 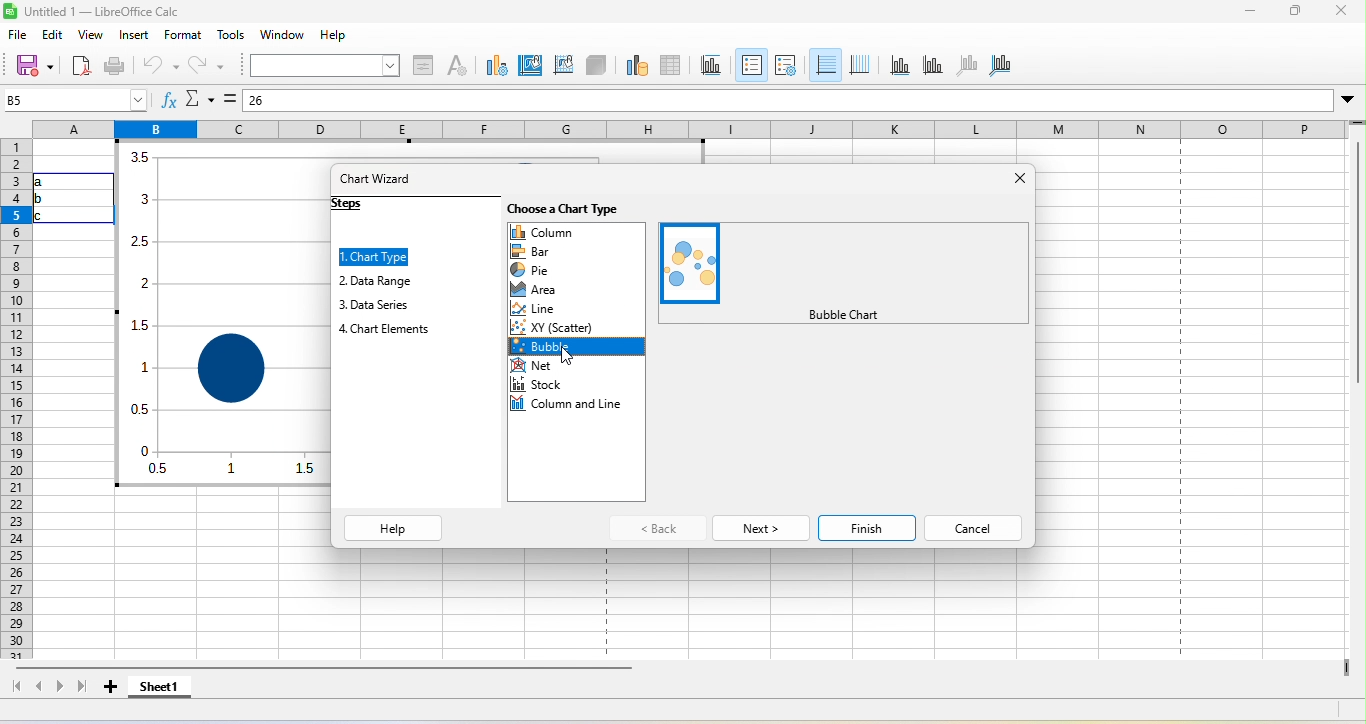 I want to click on close, so click(x=1017, y=187).